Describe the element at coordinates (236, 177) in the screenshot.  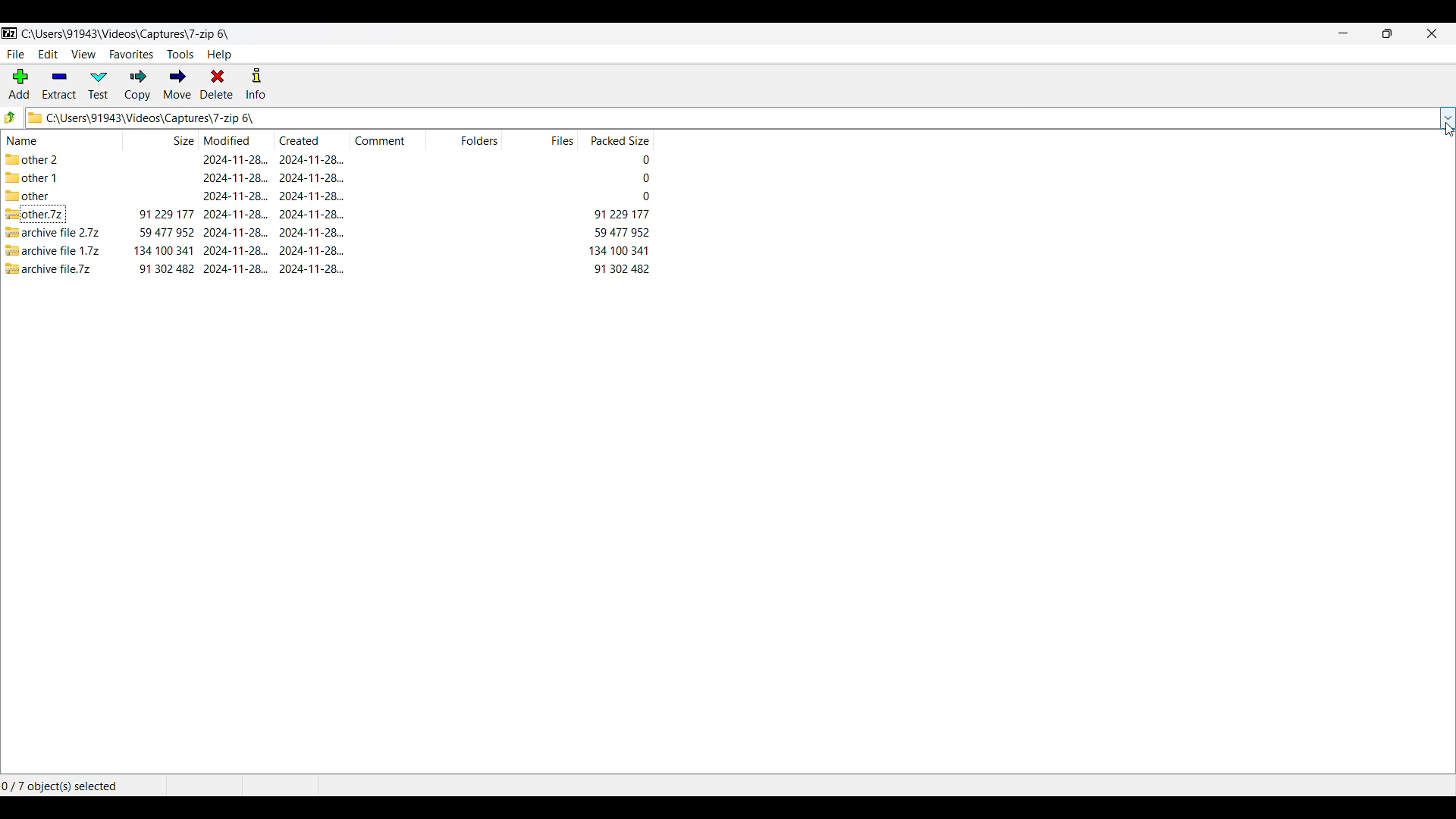
I see `modified date & time` at that location.